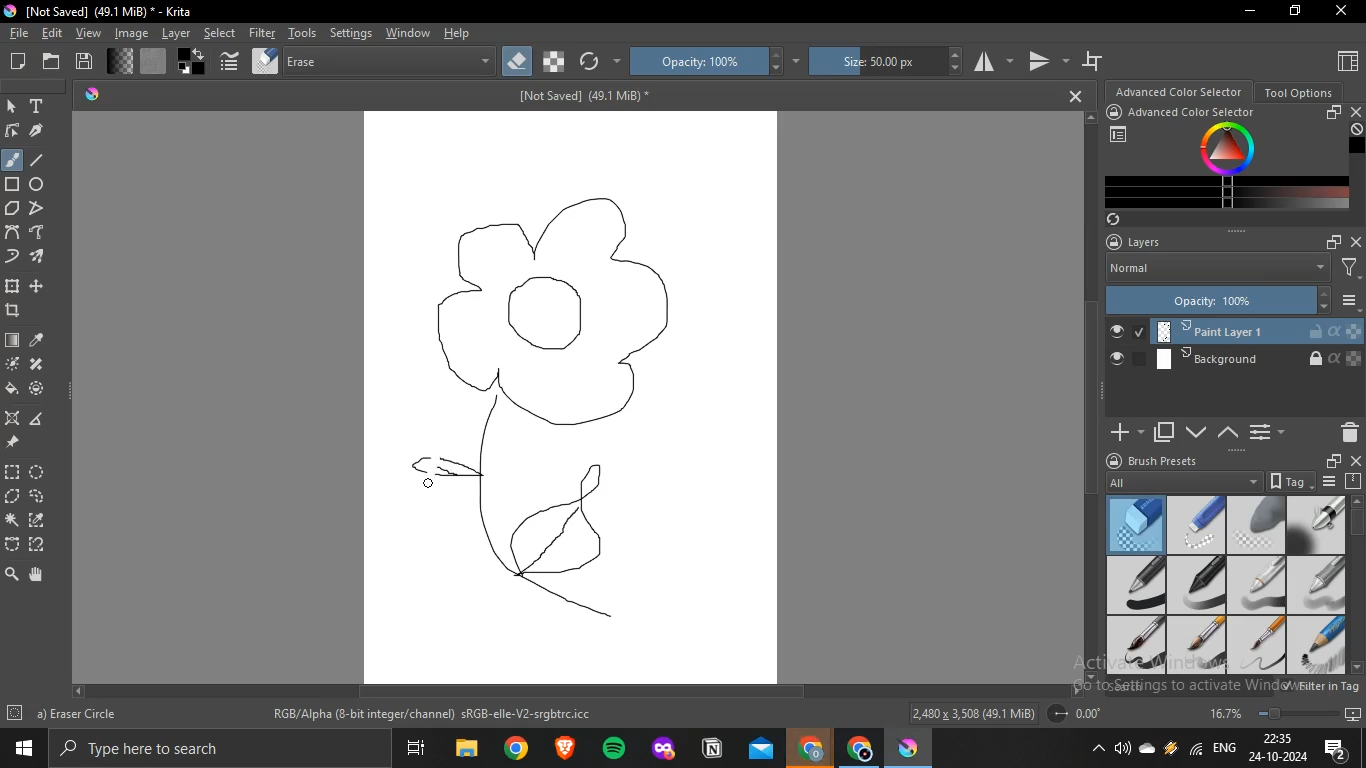 The image size is (1366, 768). What do you see at coordinates (39, 231) in the screenshot?
I see `freehand path tool` at bounding box center [39, 231].